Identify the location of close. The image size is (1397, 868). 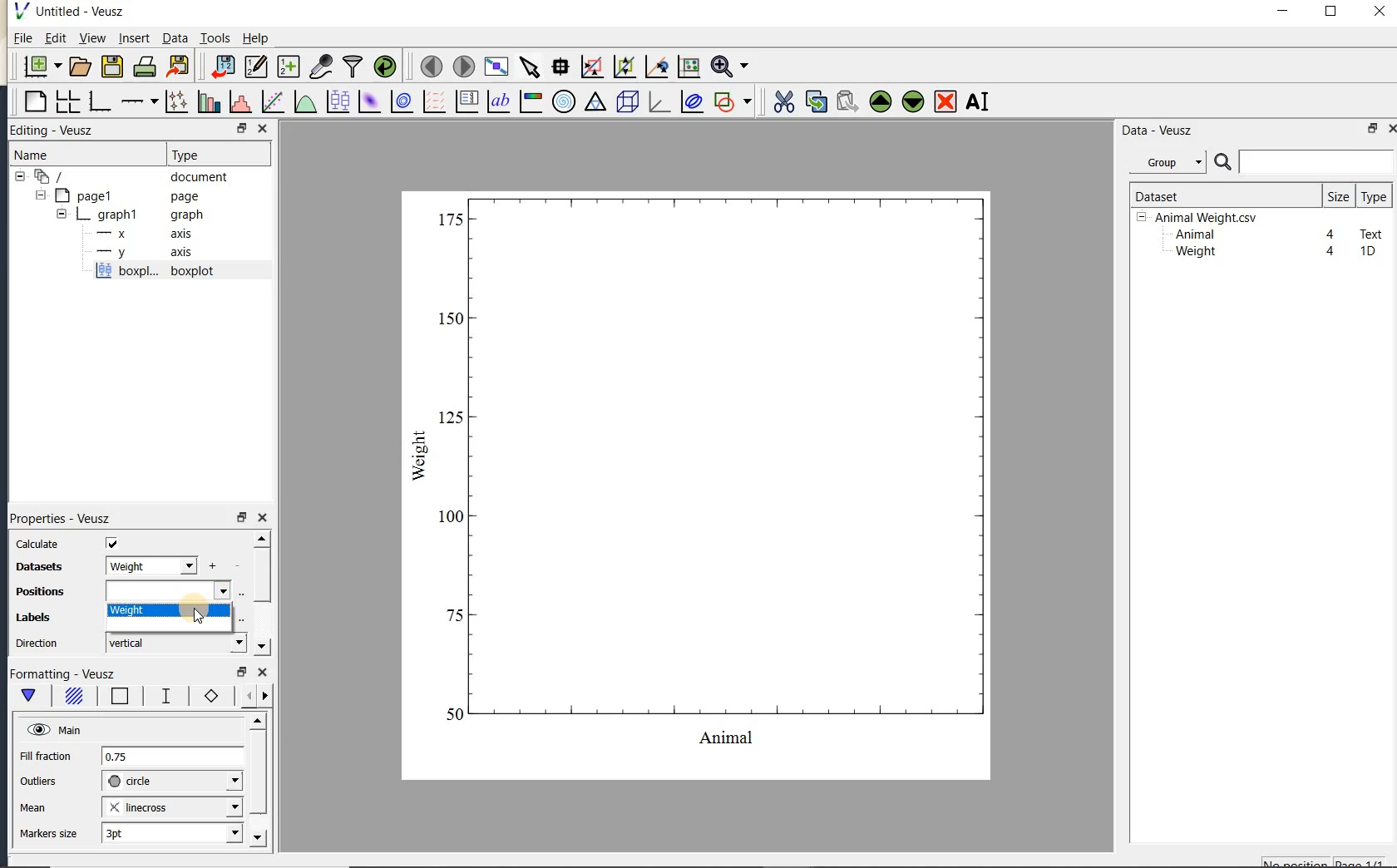
(1380, 12).